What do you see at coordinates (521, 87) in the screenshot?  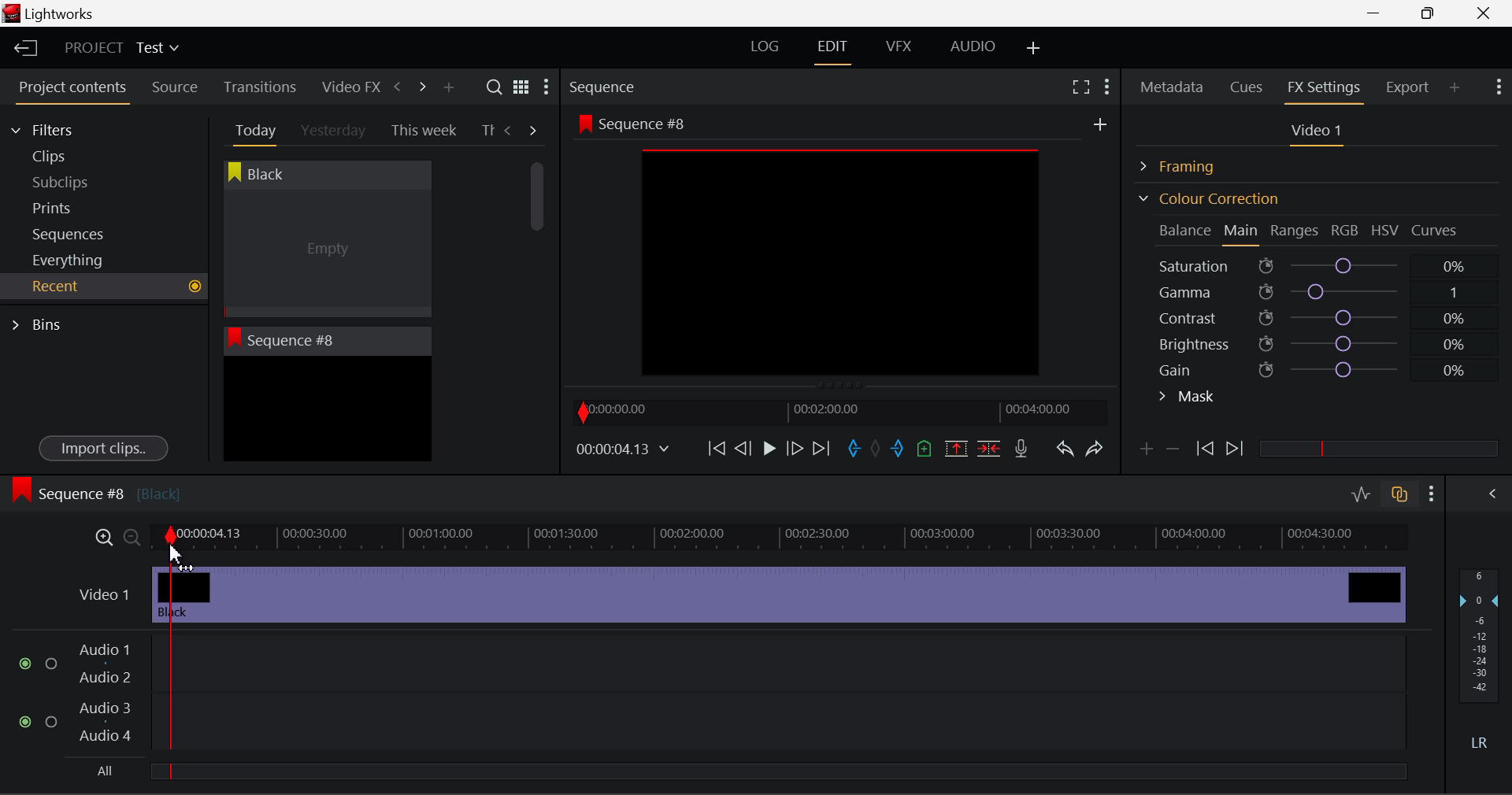 I see `Toggle list and title view` at bounding box center [521, 87].